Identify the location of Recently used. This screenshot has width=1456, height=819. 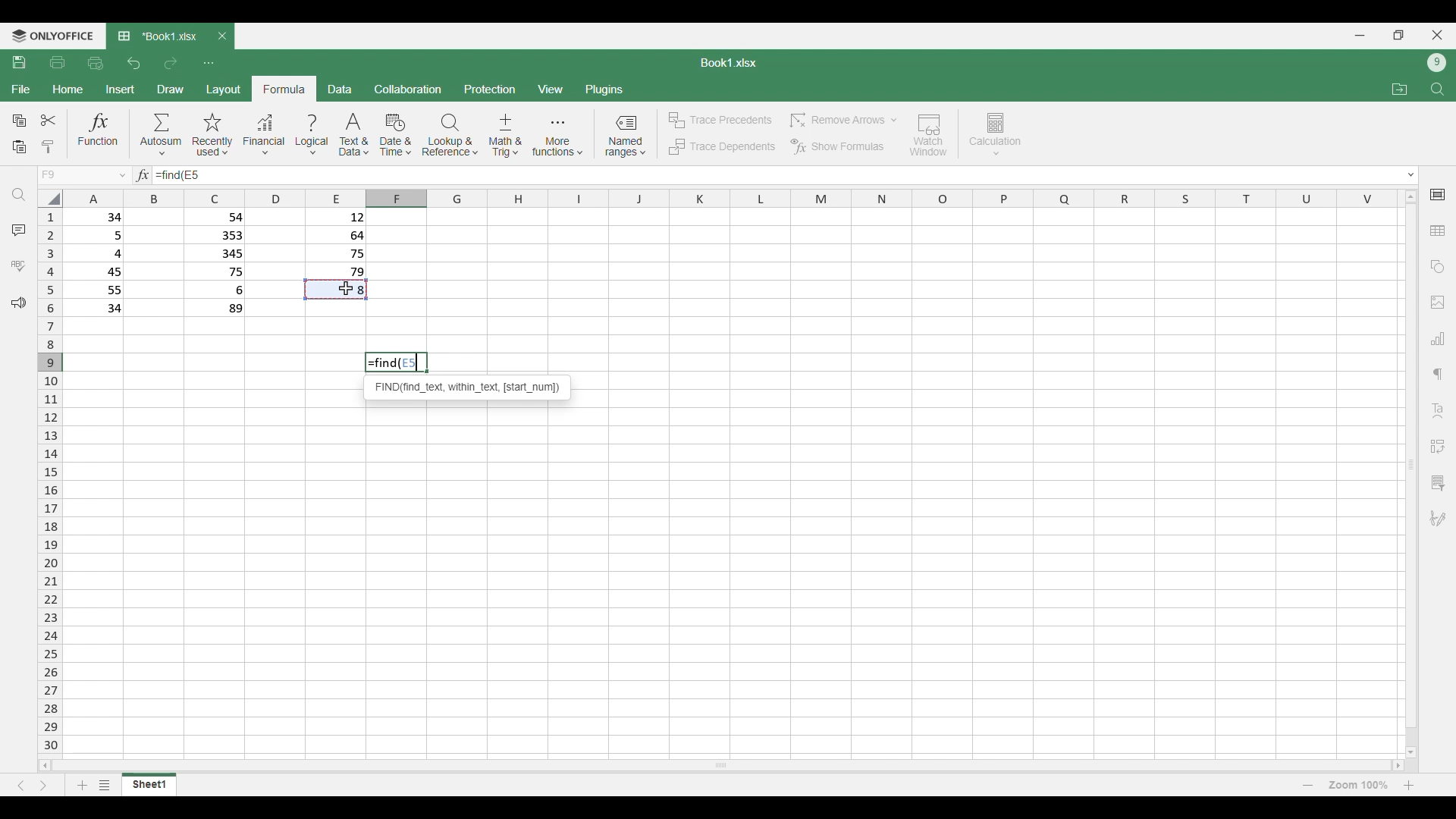
(213, 135).